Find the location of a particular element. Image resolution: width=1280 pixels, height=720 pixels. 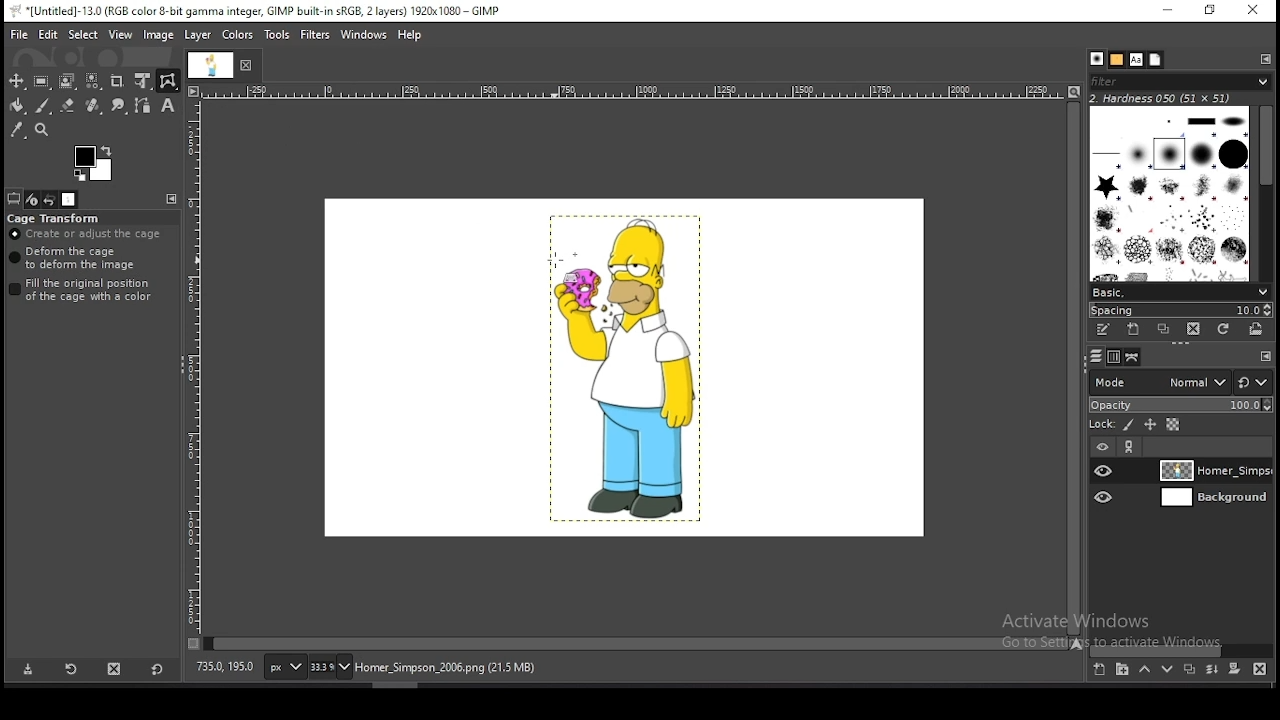

layer on/off is located at coordinates (1102, 446).